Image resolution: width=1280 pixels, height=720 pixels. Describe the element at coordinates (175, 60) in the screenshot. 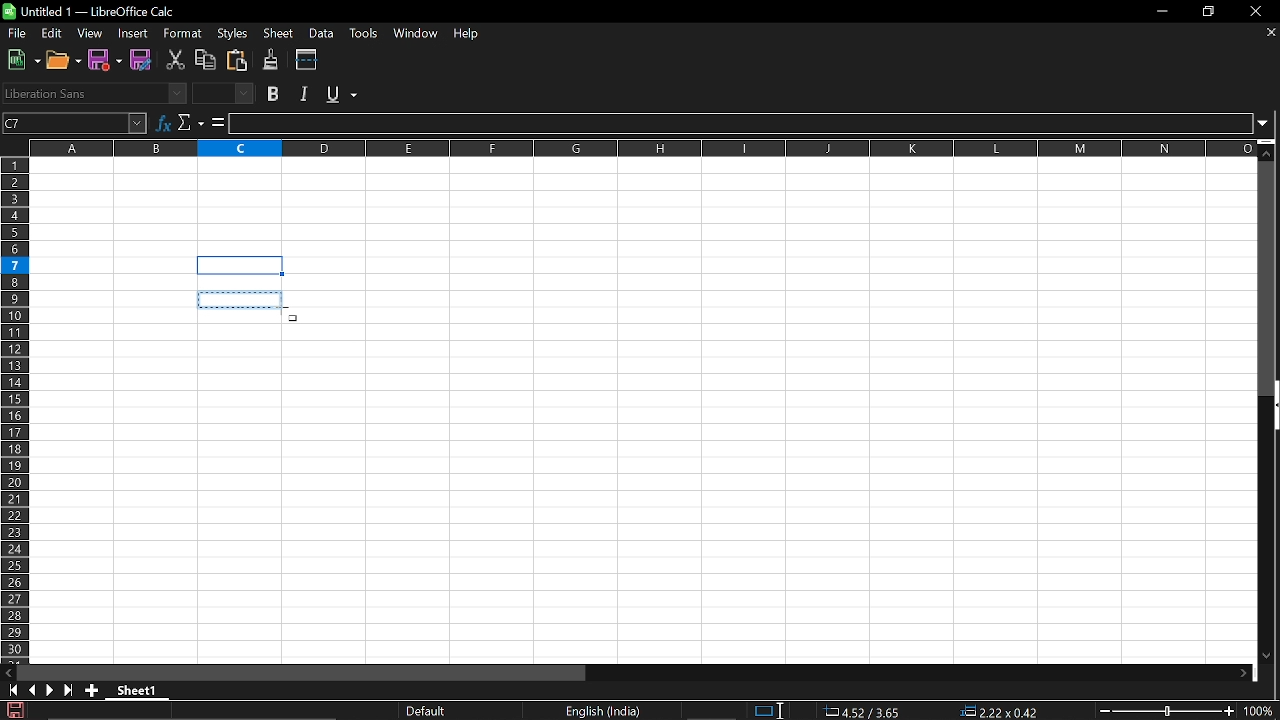

I see `Cut` at that location.